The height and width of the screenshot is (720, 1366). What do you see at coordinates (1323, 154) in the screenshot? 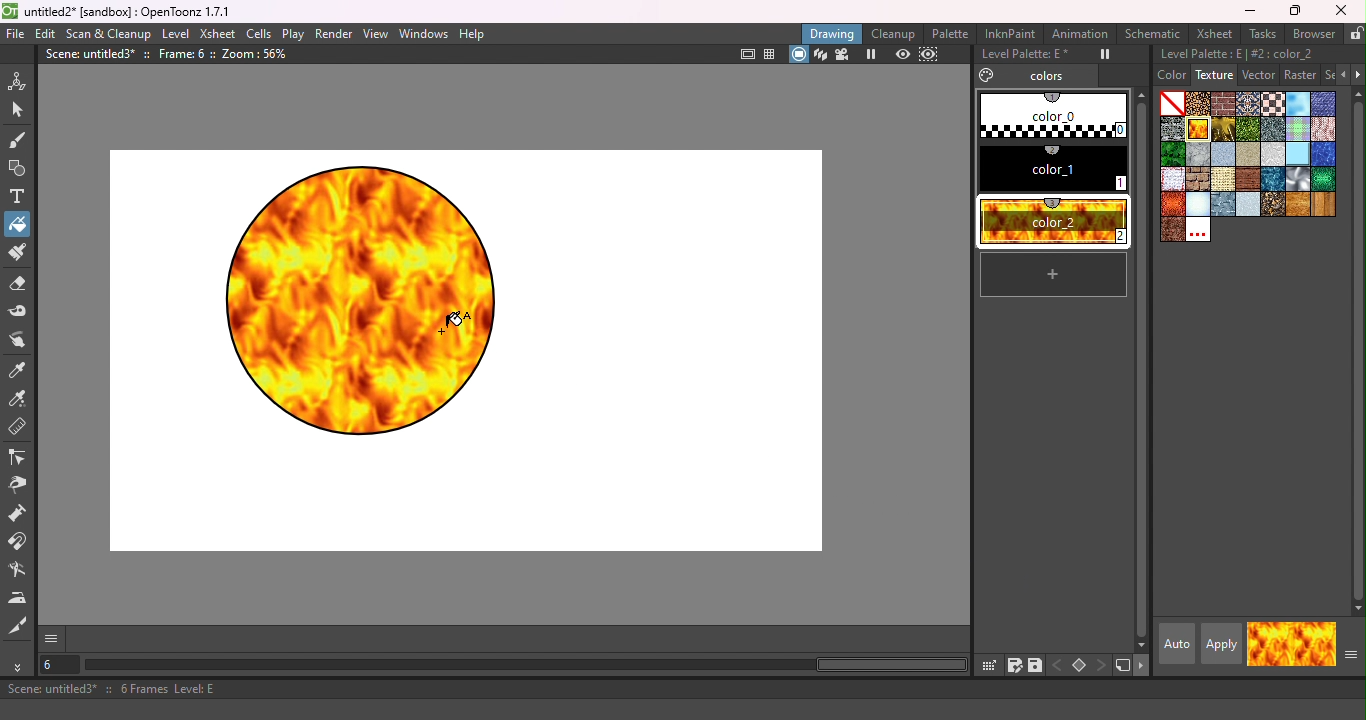
I see `pool.bmp` at bounding box center [1323, 154].